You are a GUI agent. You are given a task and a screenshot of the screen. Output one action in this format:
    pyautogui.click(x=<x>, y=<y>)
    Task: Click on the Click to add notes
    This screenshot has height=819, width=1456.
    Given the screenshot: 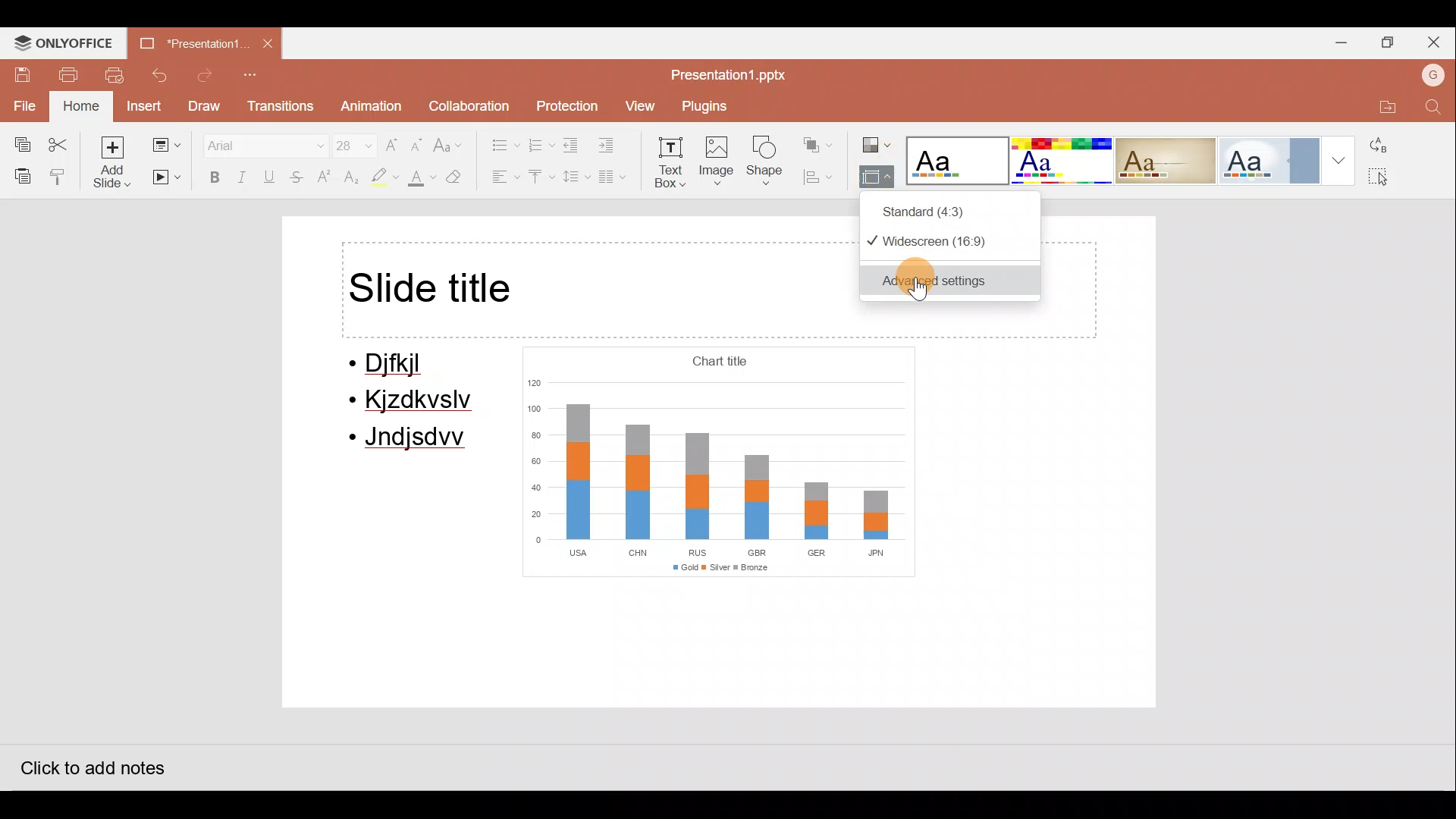 What is the action you would take?
    pyautogui.click(x=90, y=764)
    